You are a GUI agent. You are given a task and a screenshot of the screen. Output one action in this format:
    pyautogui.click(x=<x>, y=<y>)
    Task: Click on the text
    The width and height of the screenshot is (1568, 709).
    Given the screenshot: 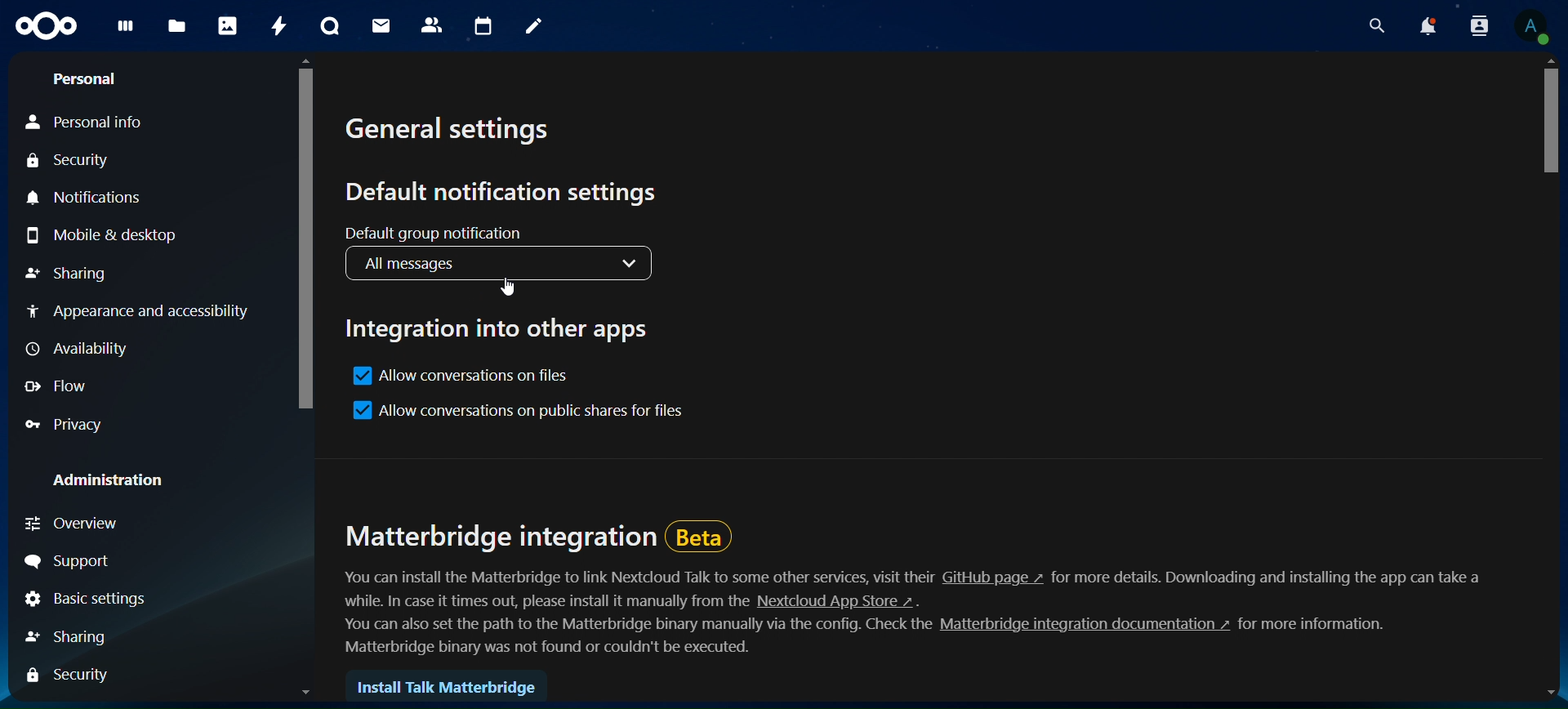 What is the action you would take?
    pyautogui.click(x=639, y=577)
    